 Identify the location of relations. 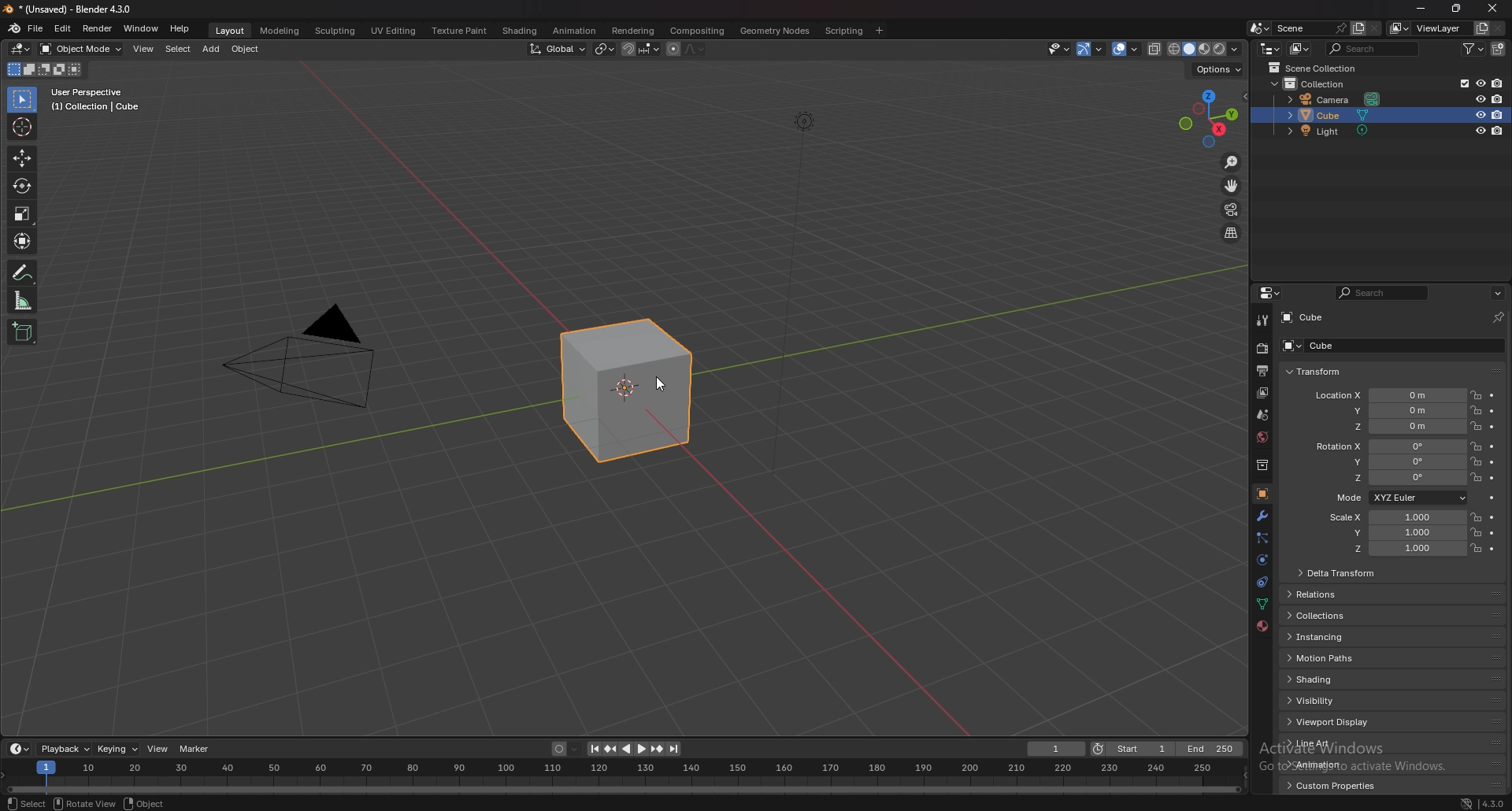
(1340, 594).